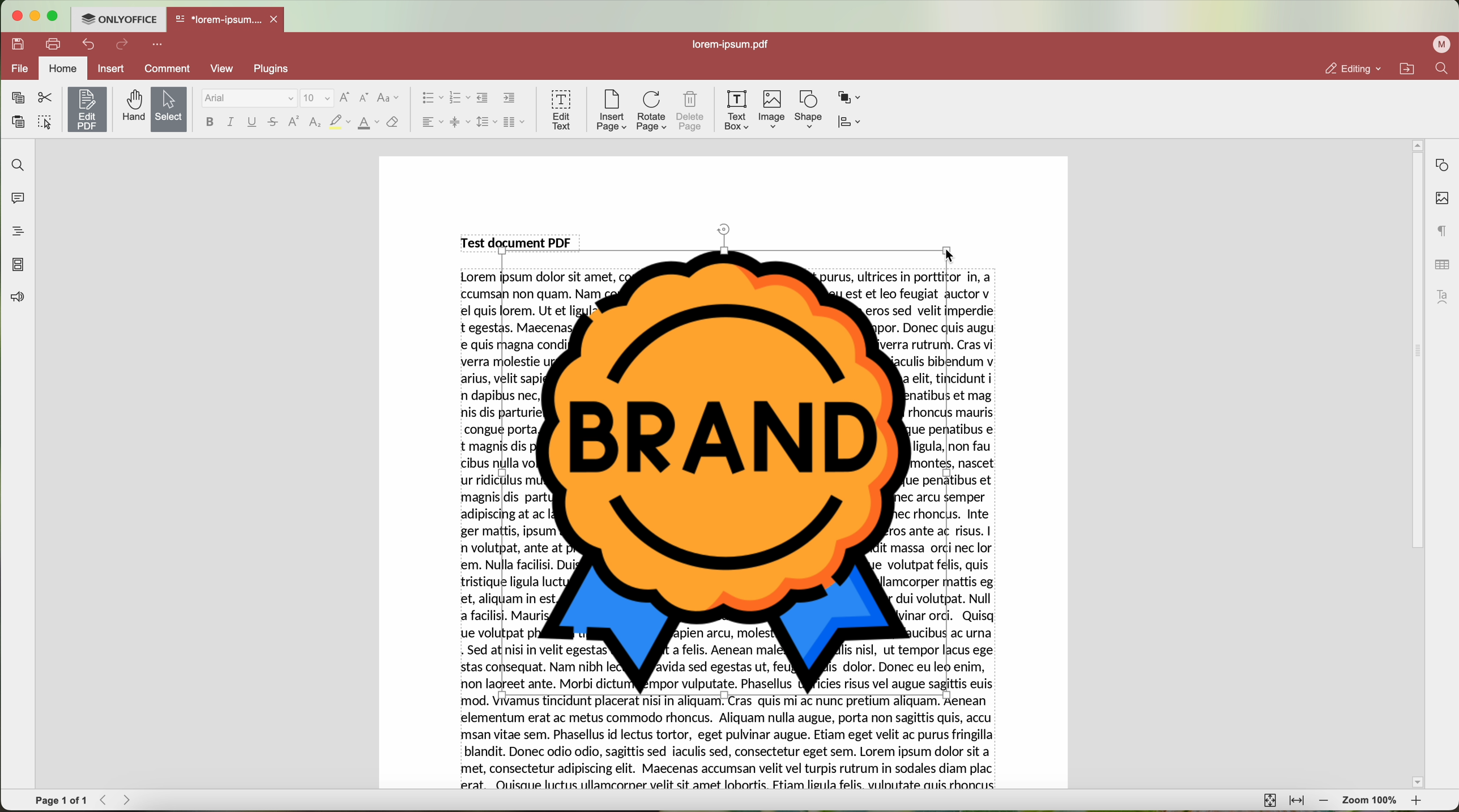 The width and height of the screenshot is (1459, 812). I want to click on clear style, so click(393, 123).